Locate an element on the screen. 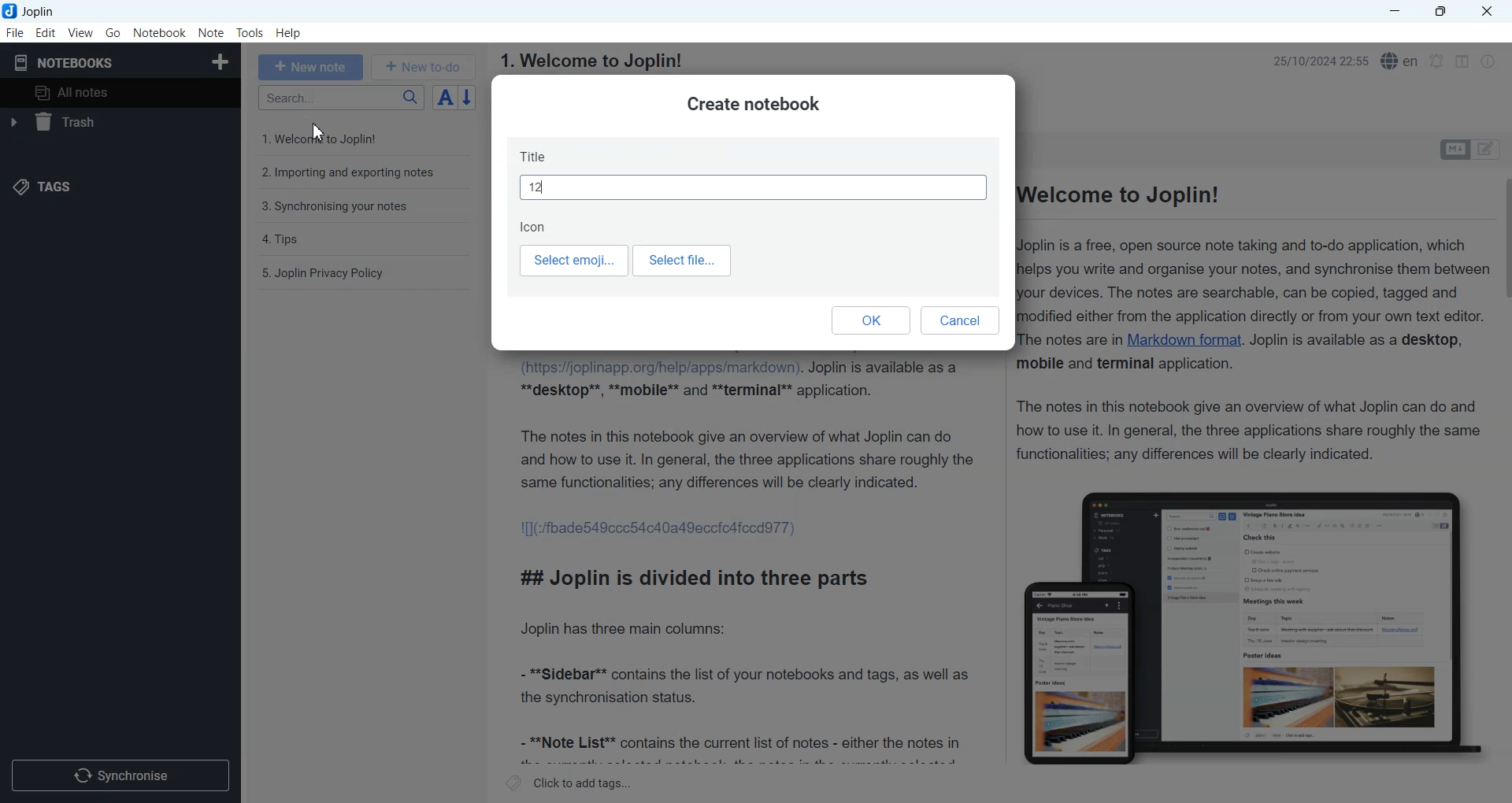  Notebooks is located at coordinates (64, 62).